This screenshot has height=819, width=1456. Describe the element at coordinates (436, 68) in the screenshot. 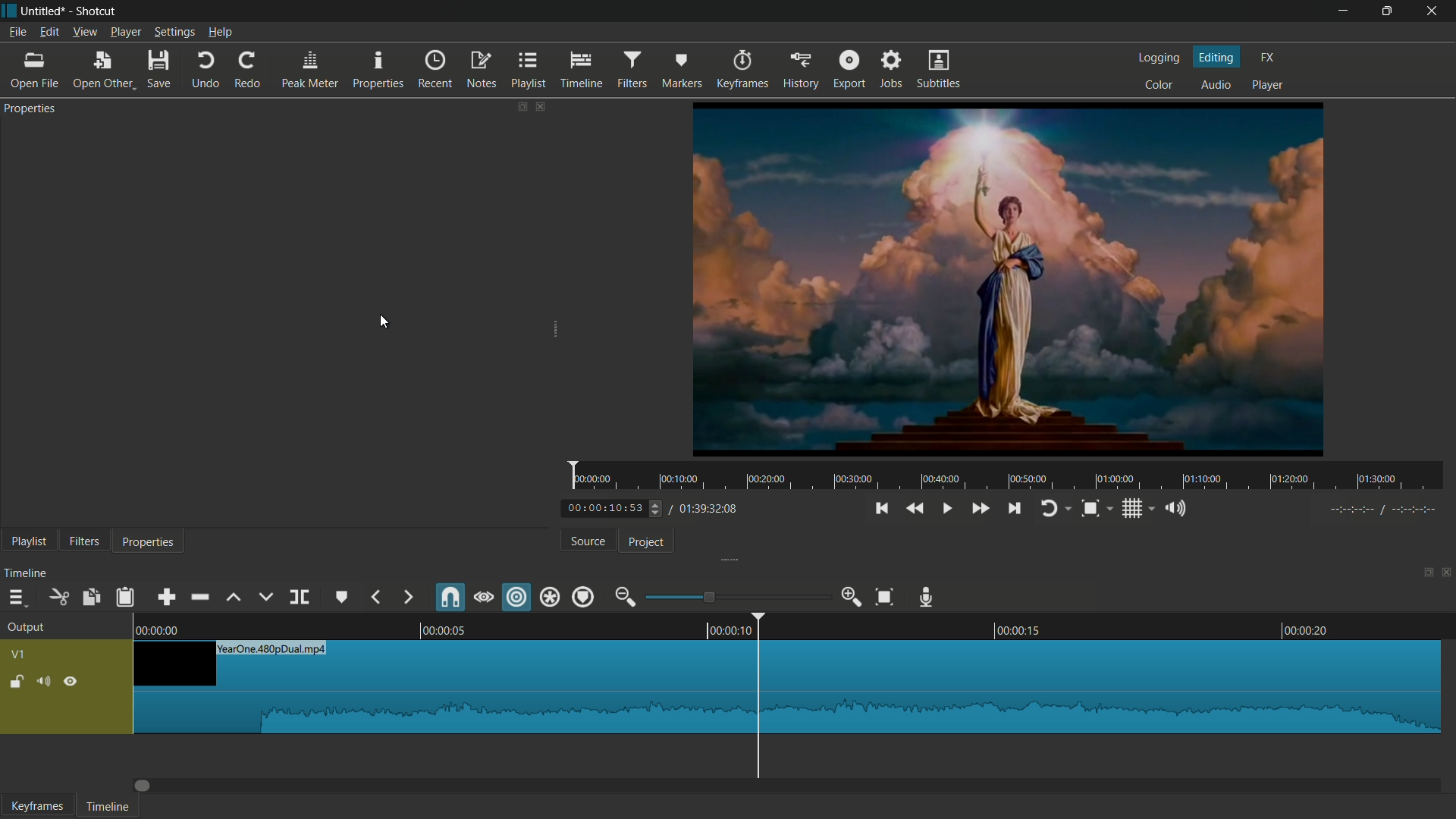

I see `recent` at that location.